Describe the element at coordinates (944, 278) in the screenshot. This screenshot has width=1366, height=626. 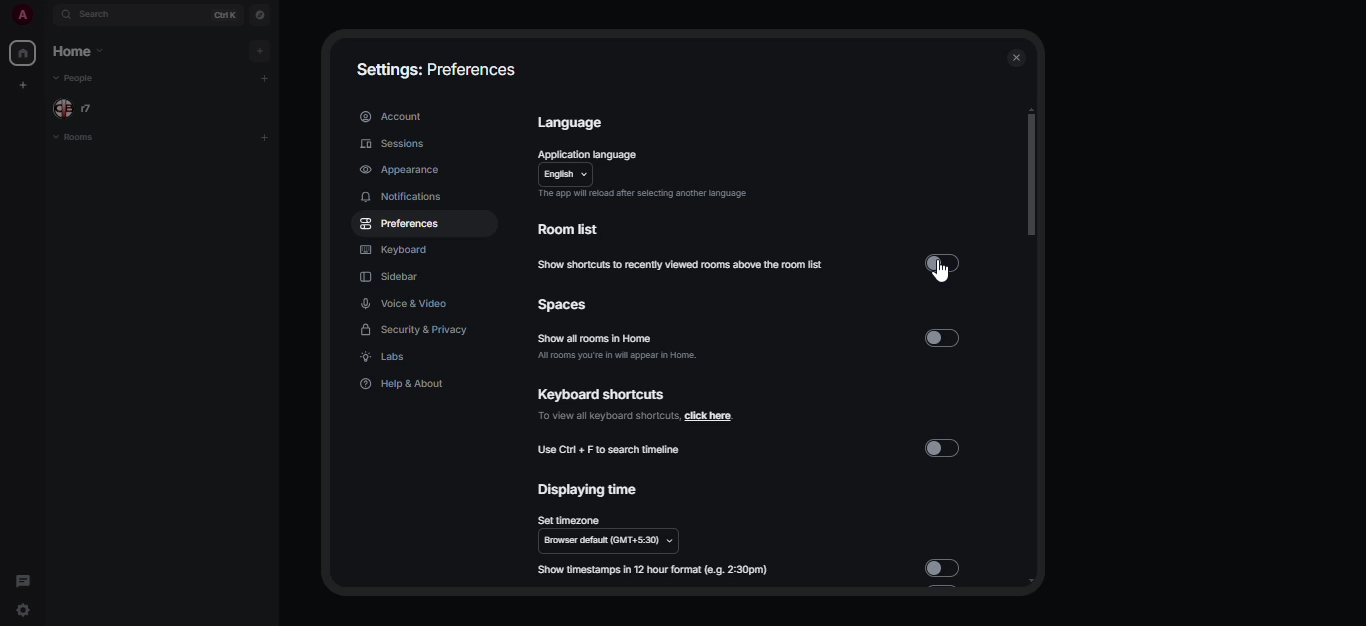
I see `cursor` at that location.